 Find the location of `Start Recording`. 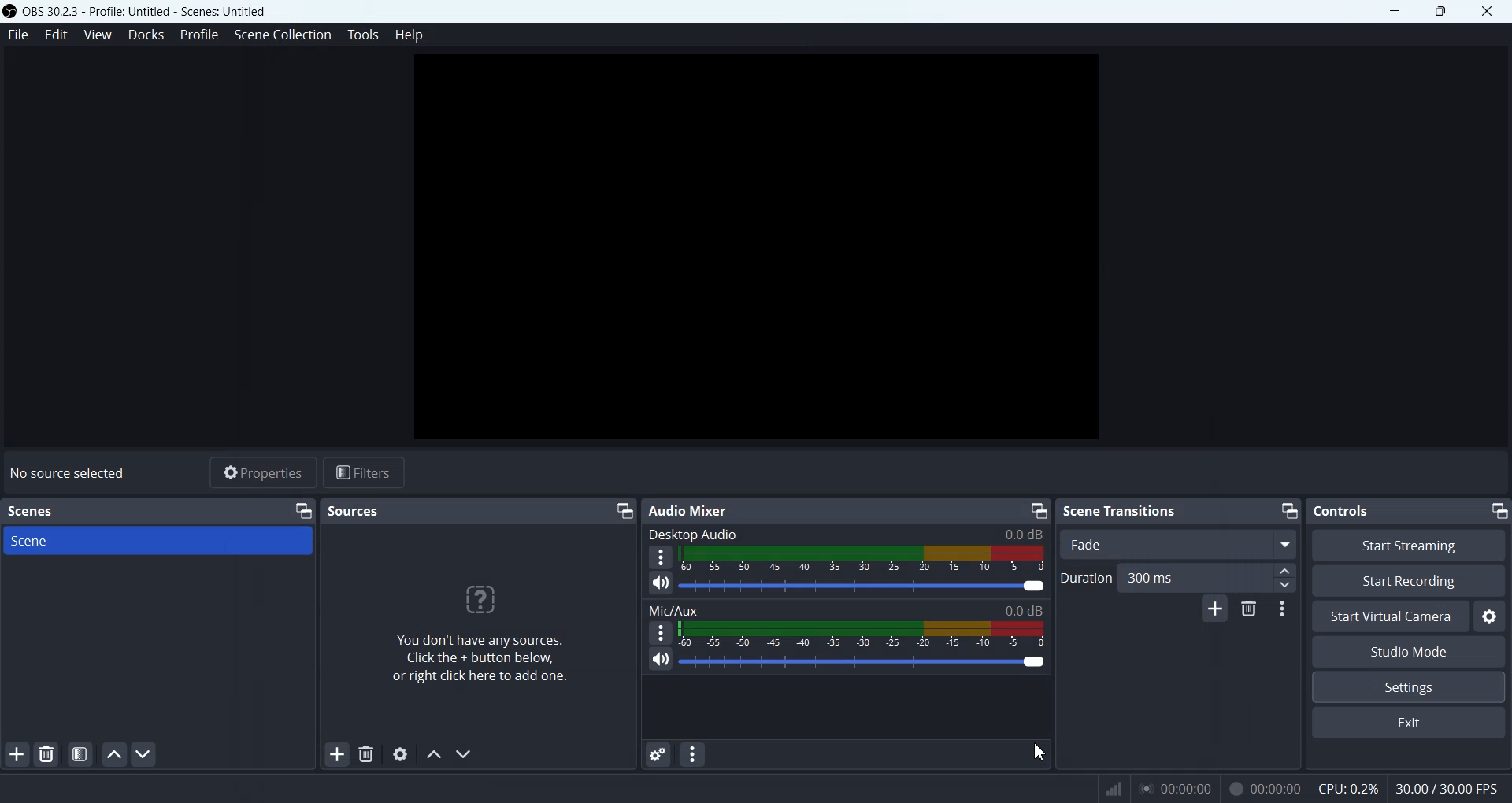

Start Recording is located at coordinates (1410, 581).